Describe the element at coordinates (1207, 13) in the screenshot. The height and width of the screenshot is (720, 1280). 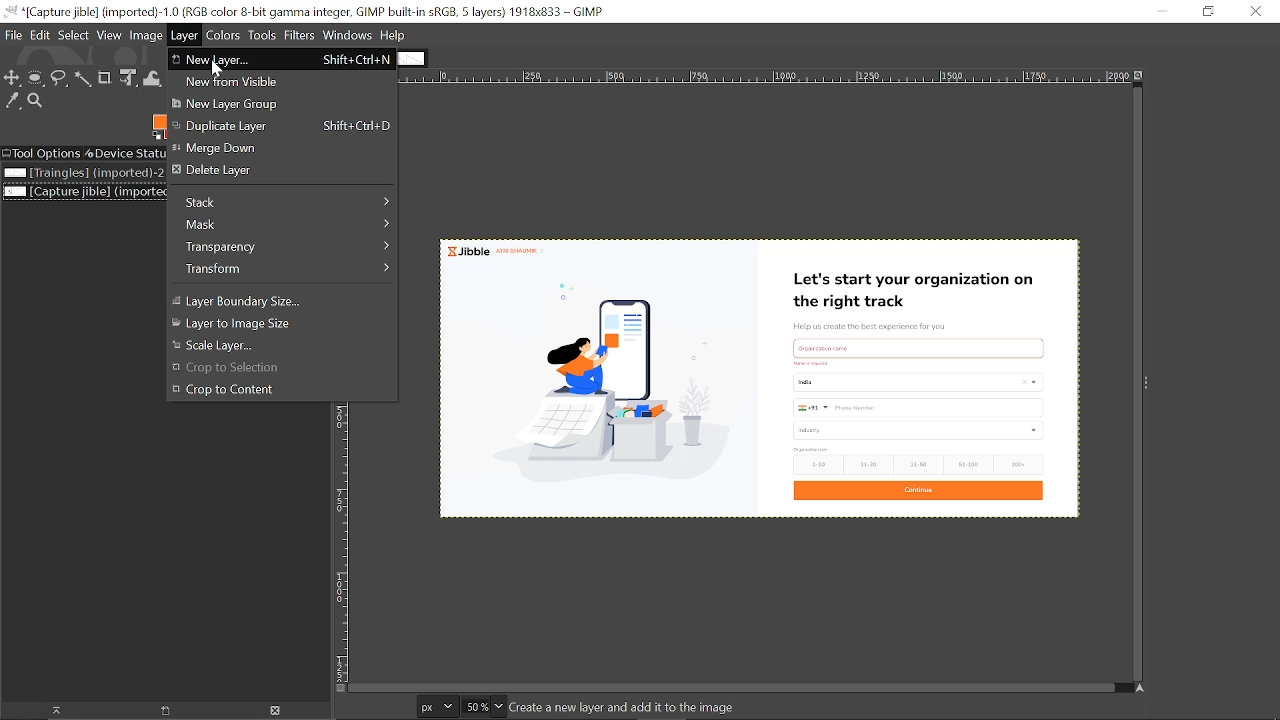
I see `Restore down` at that location.